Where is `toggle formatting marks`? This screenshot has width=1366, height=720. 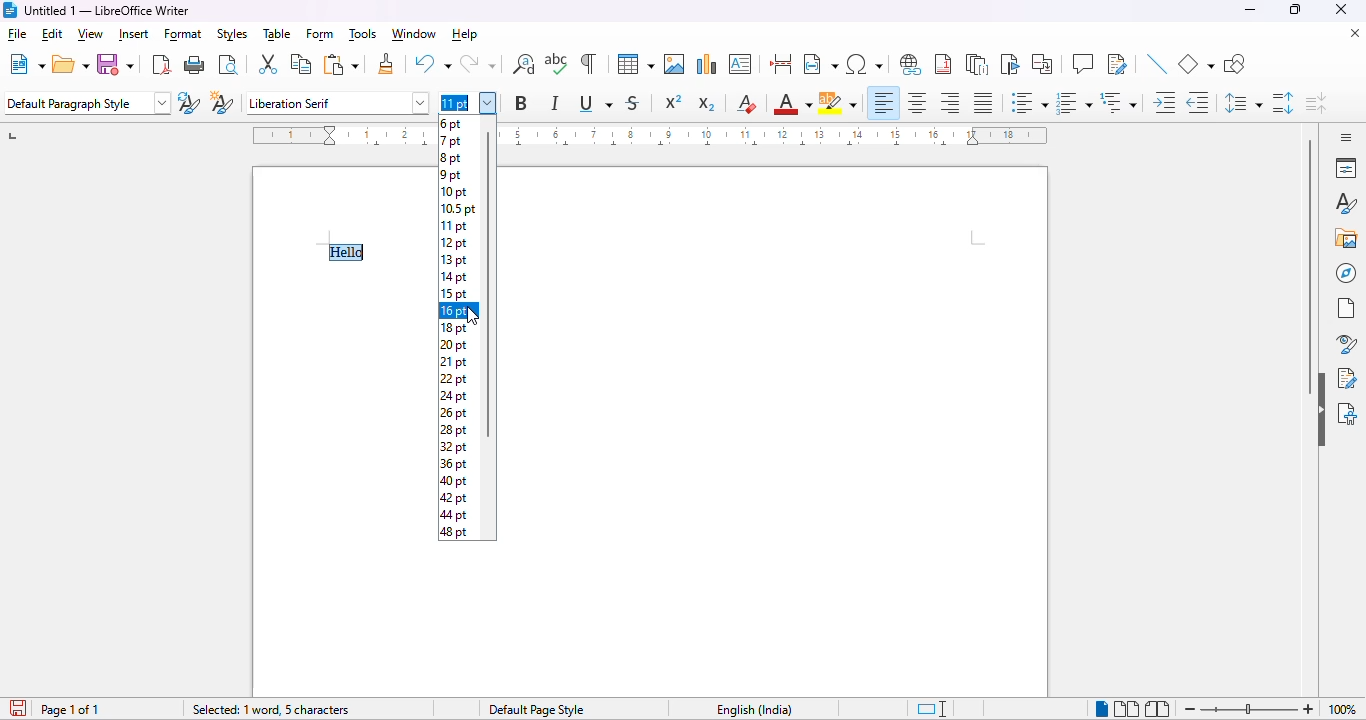
toggle formatting marks is located at coordinates (589, 63).